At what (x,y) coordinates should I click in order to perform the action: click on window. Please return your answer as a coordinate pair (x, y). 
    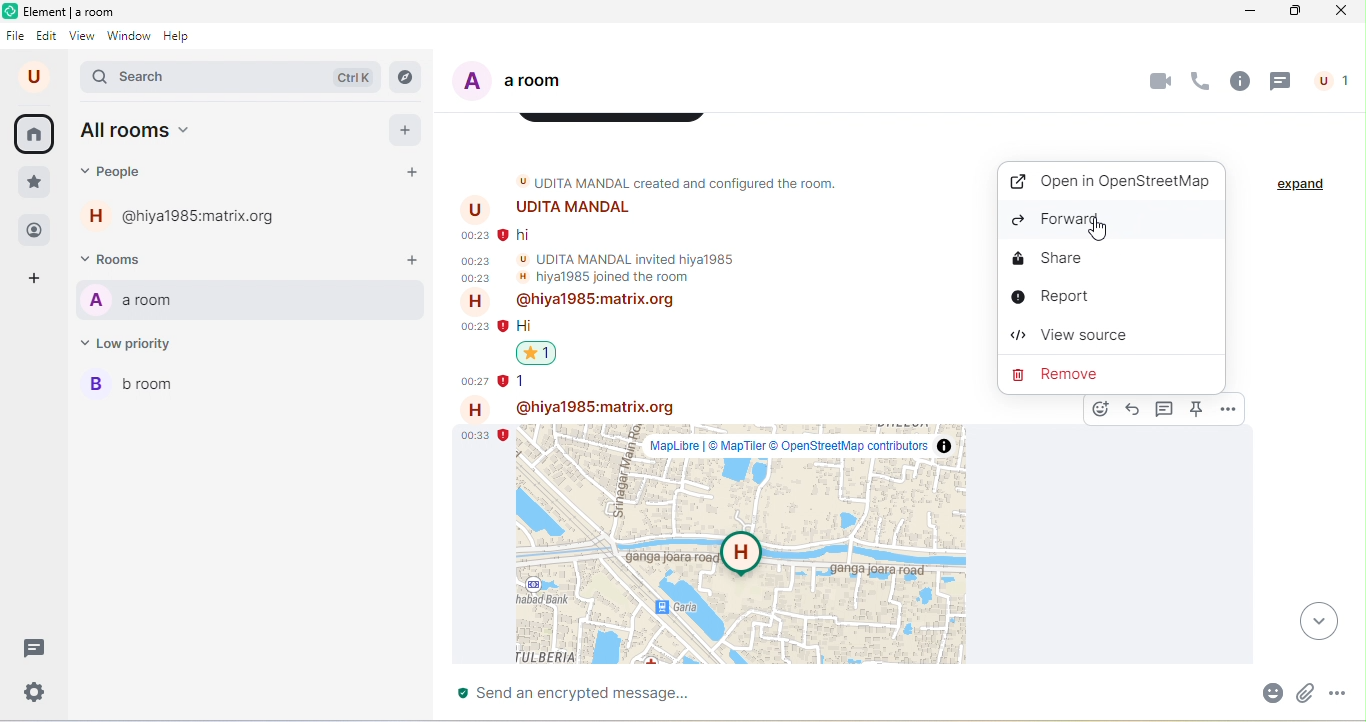
    Looking at the image, I should click on (129, 37).